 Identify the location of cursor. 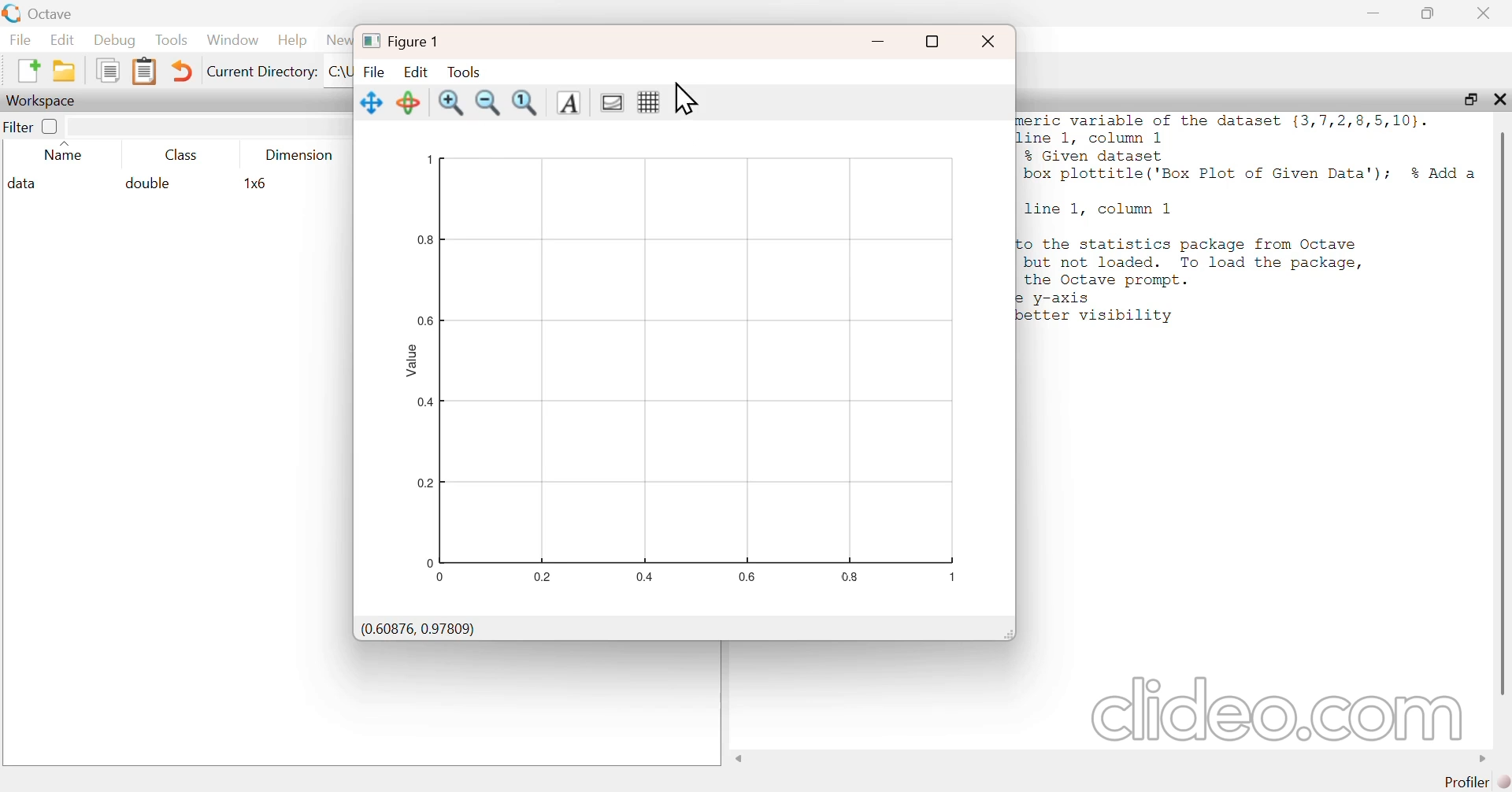
(687, 98).